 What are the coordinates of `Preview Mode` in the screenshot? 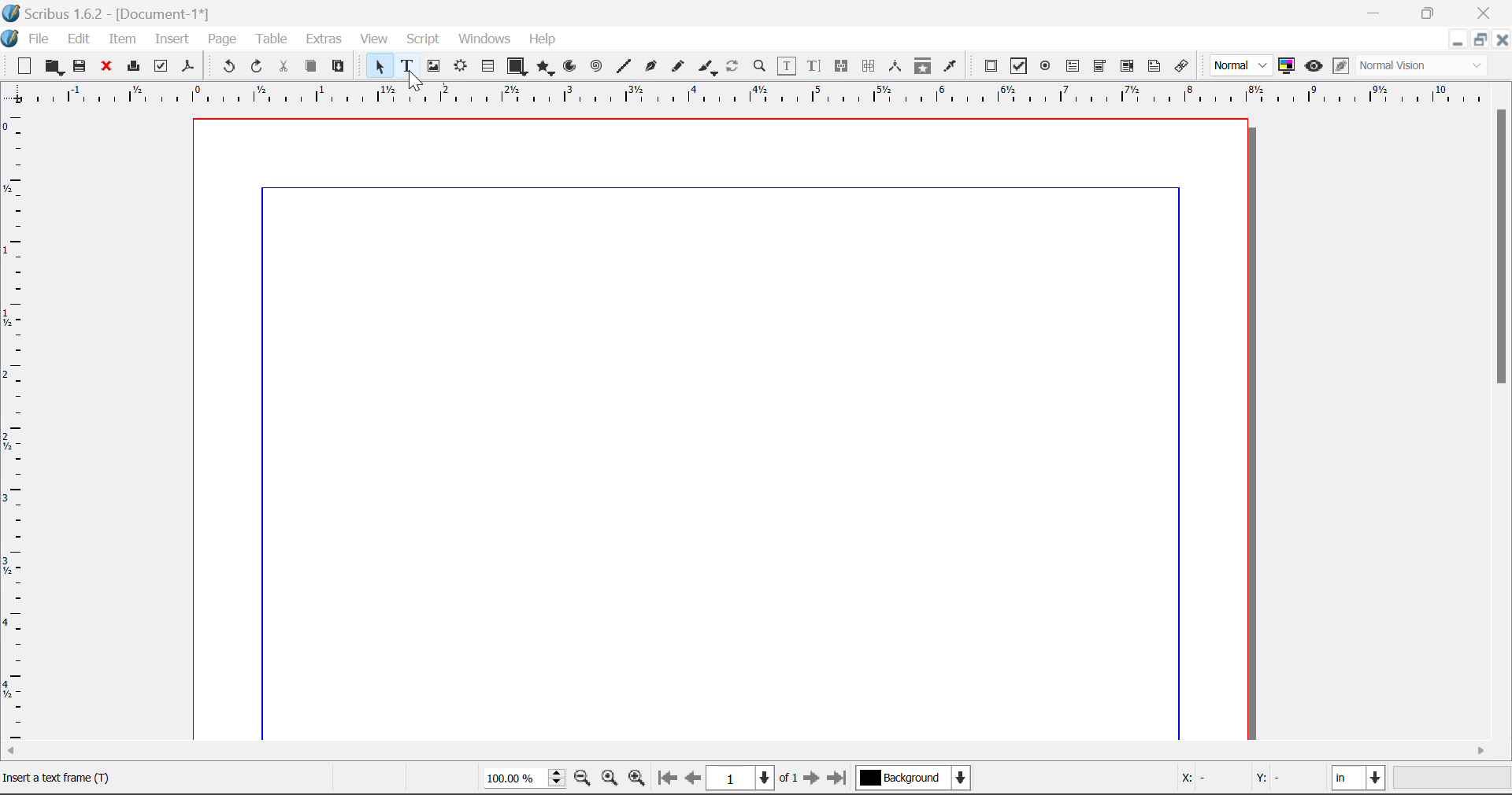 It's located at (1242, 66).